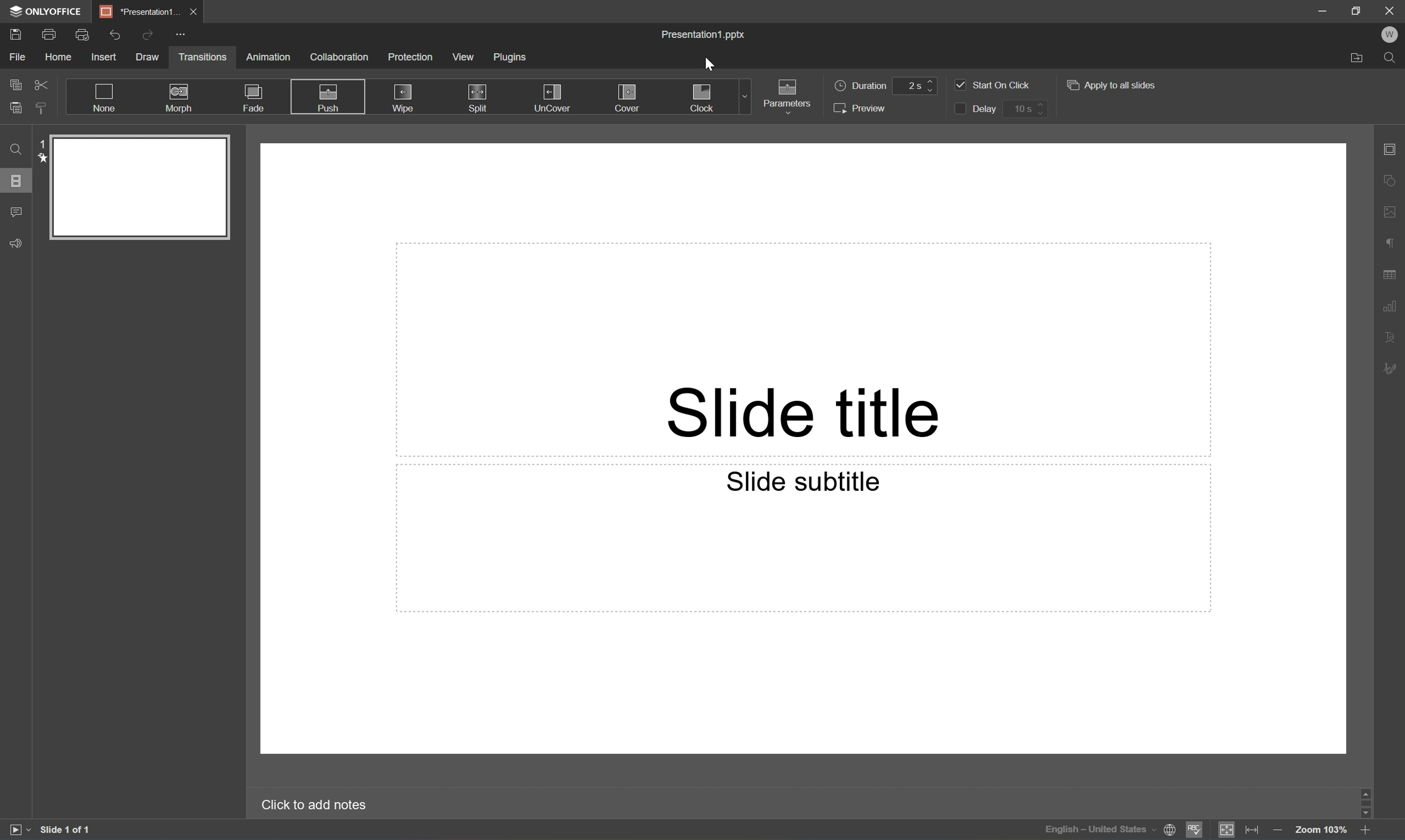 The height and width of the screenshot is (840, 1405). I want to click on Slide subtitle, so click(802, 484).